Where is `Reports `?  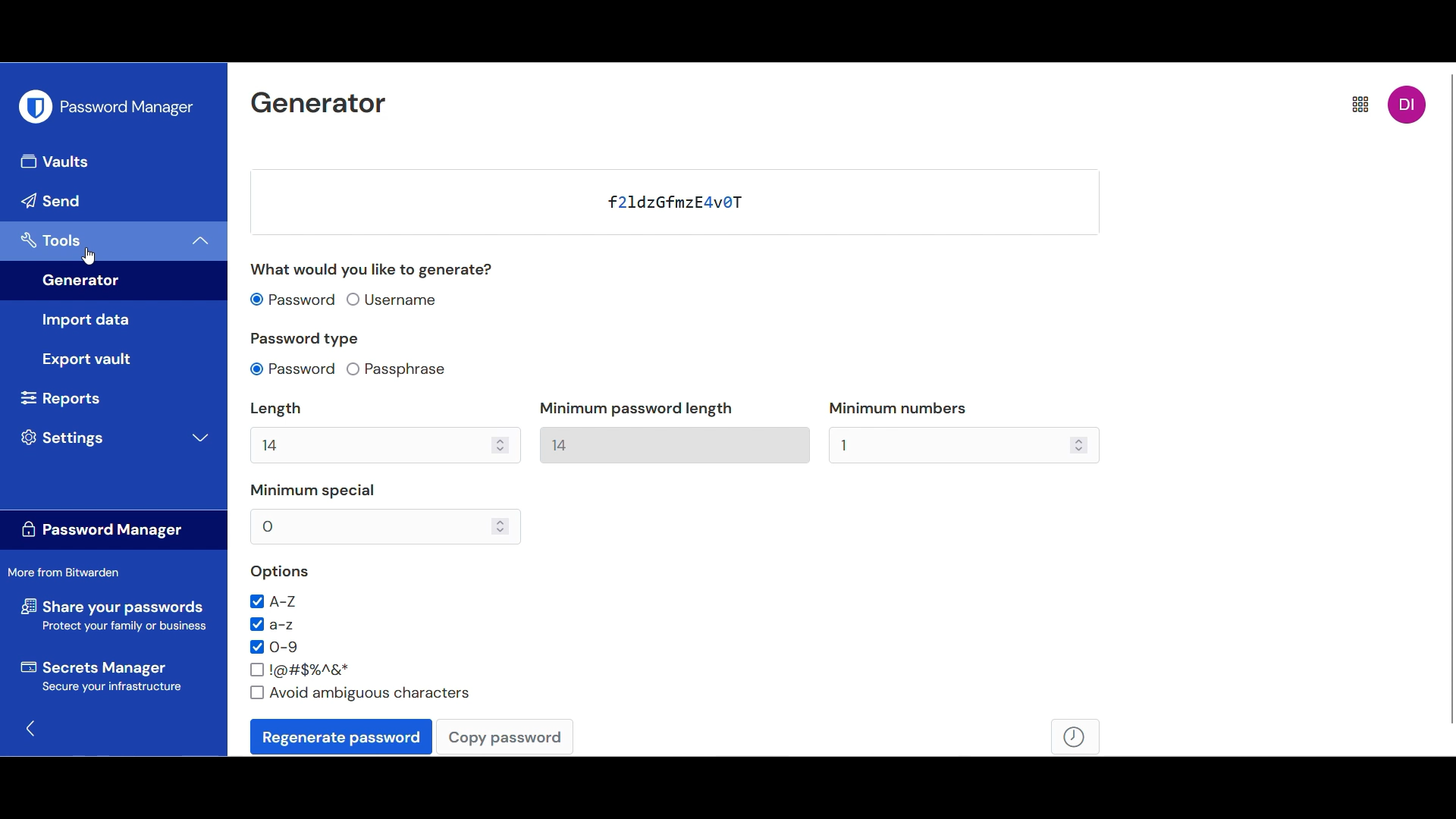
Reports  is located at coordinates (60, 398).